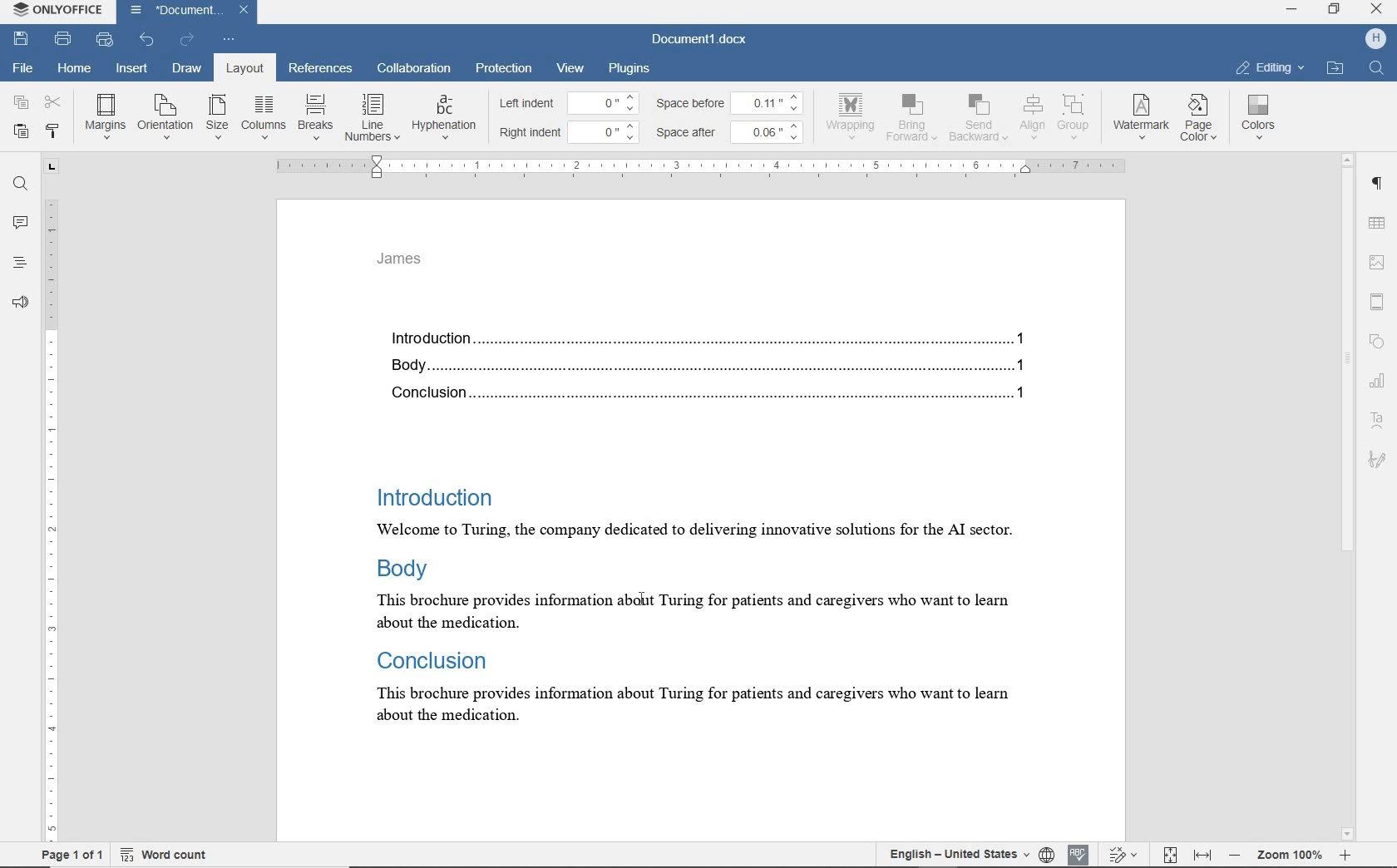 The height and width of the screenshot is (868, 1397). I want to click on line numbers, so click(371, 117).